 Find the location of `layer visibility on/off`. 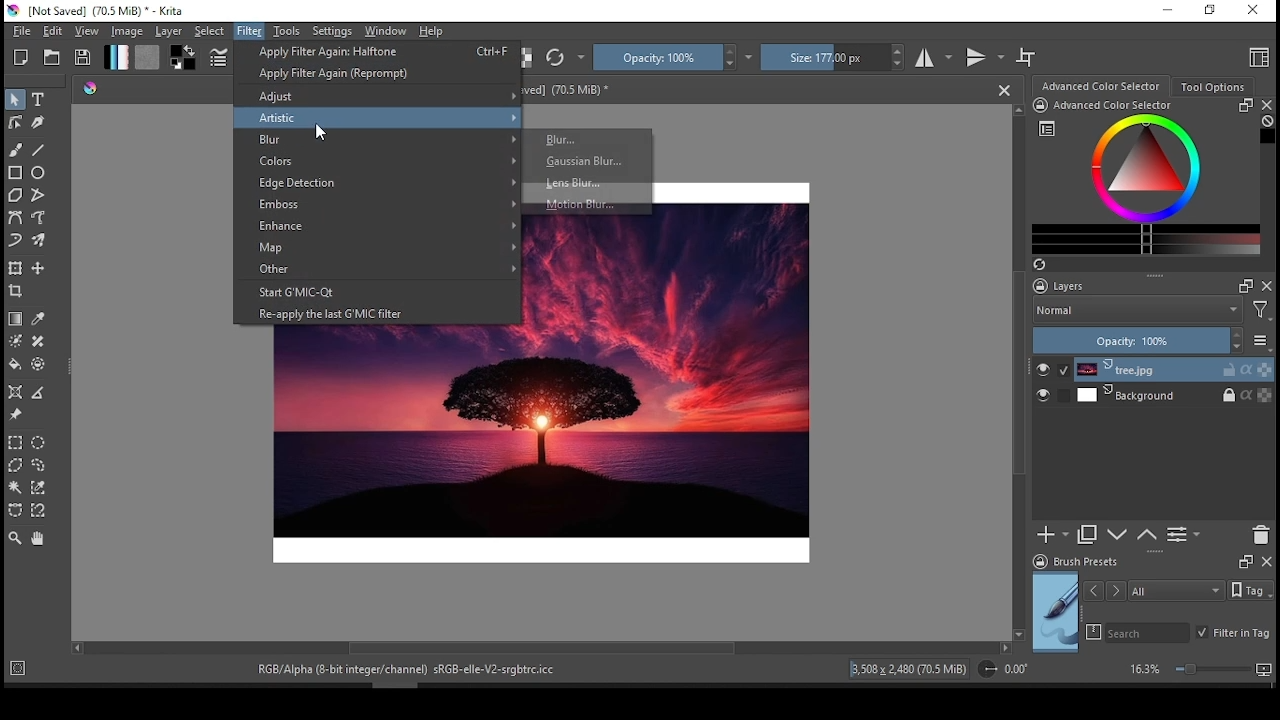

layer visibility on/off is located at coordinates (1052, 368).